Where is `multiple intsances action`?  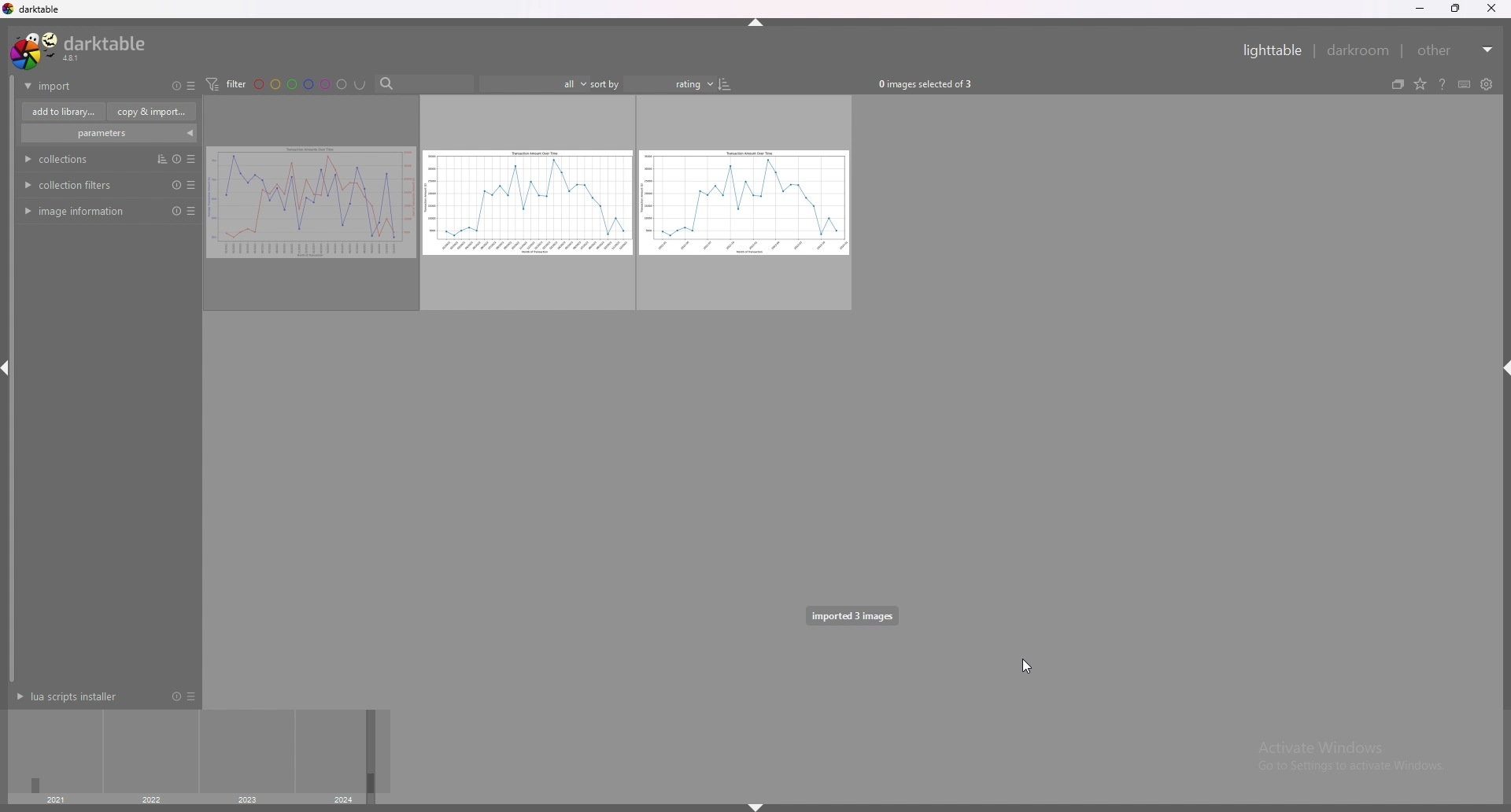 multiple intsances action is located at coordinates (157, 158).